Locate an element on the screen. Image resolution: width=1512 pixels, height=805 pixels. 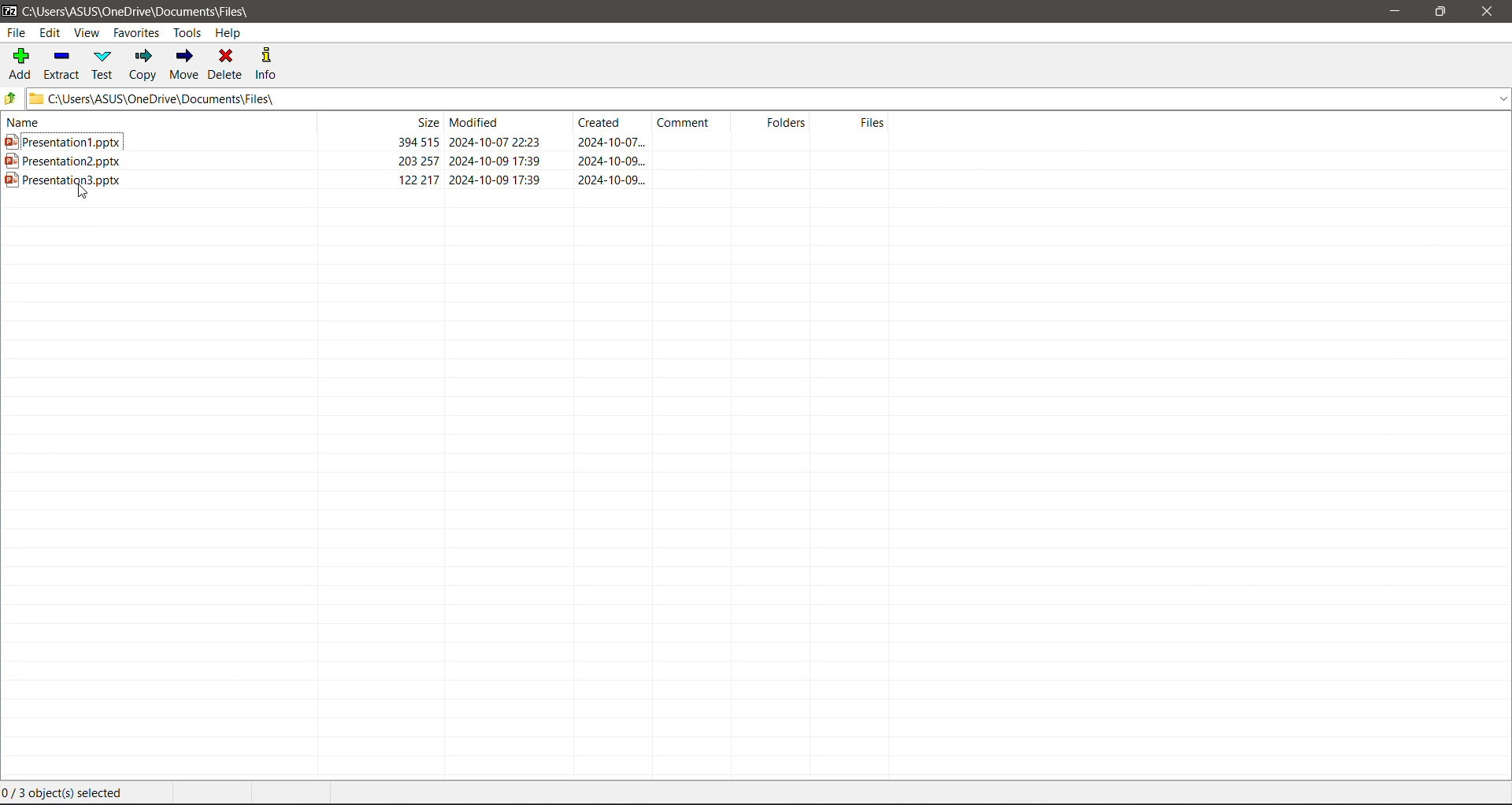
Current Selection is located at coordinates (70, 793).